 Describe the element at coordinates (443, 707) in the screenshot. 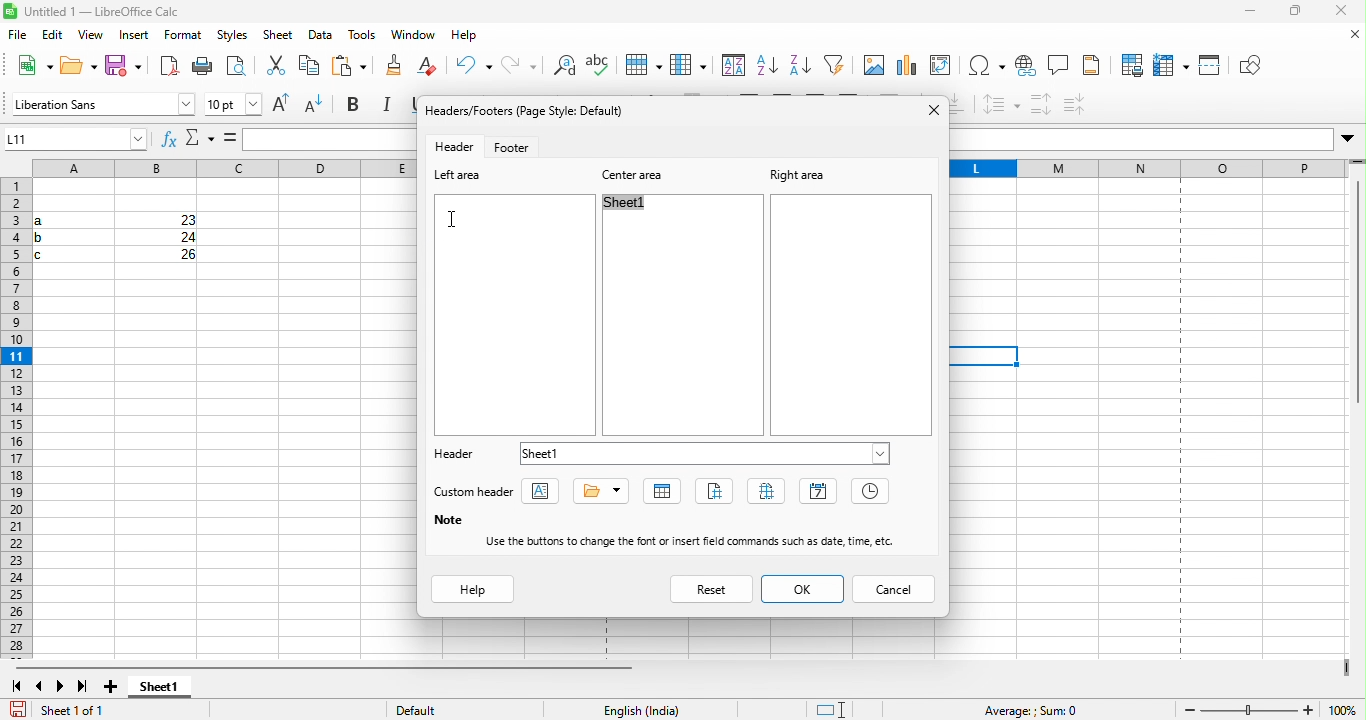

I see `default` at that location.